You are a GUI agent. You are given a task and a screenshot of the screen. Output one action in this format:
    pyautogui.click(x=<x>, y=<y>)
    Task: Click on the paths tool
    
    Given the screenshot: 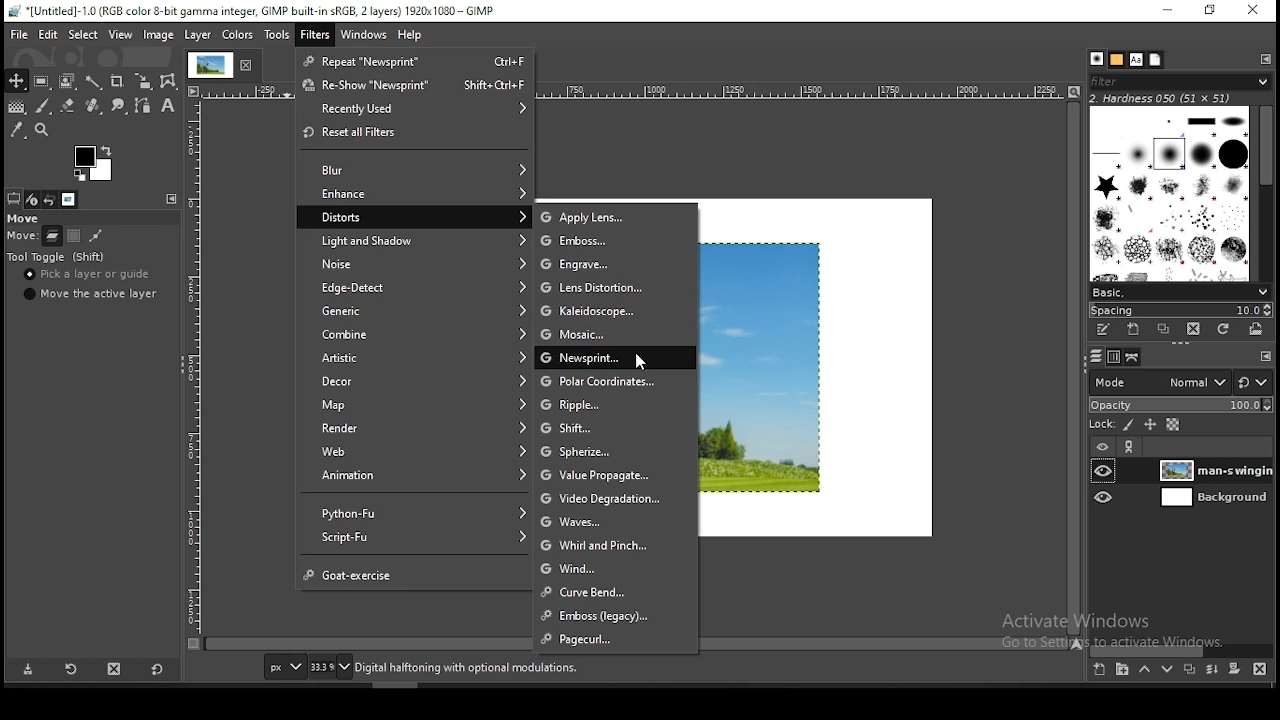 What is the action you would take?
    pyautogui.click(x=141, y=105)
    